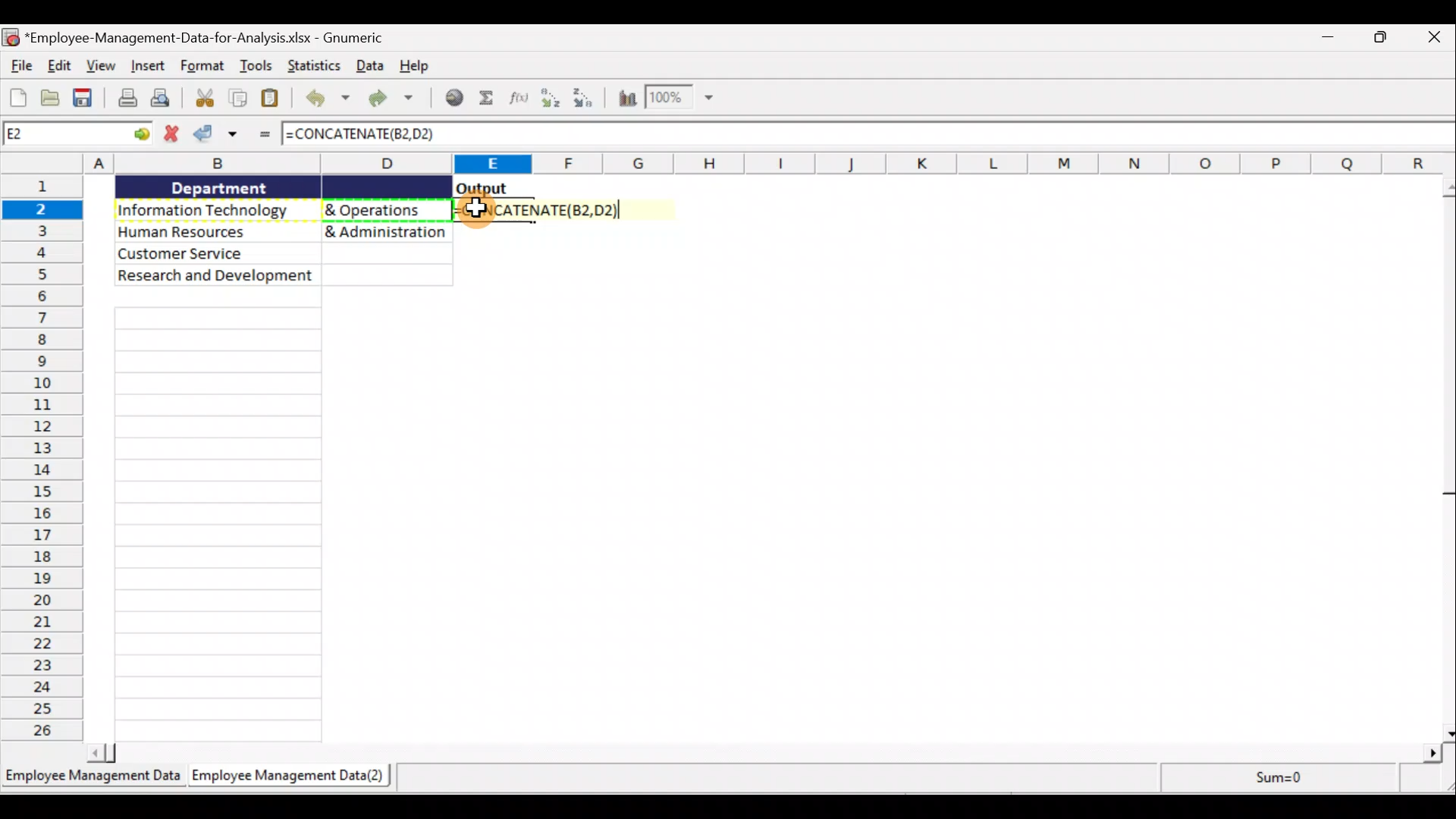  I want to click on Format, so click(202, 66).